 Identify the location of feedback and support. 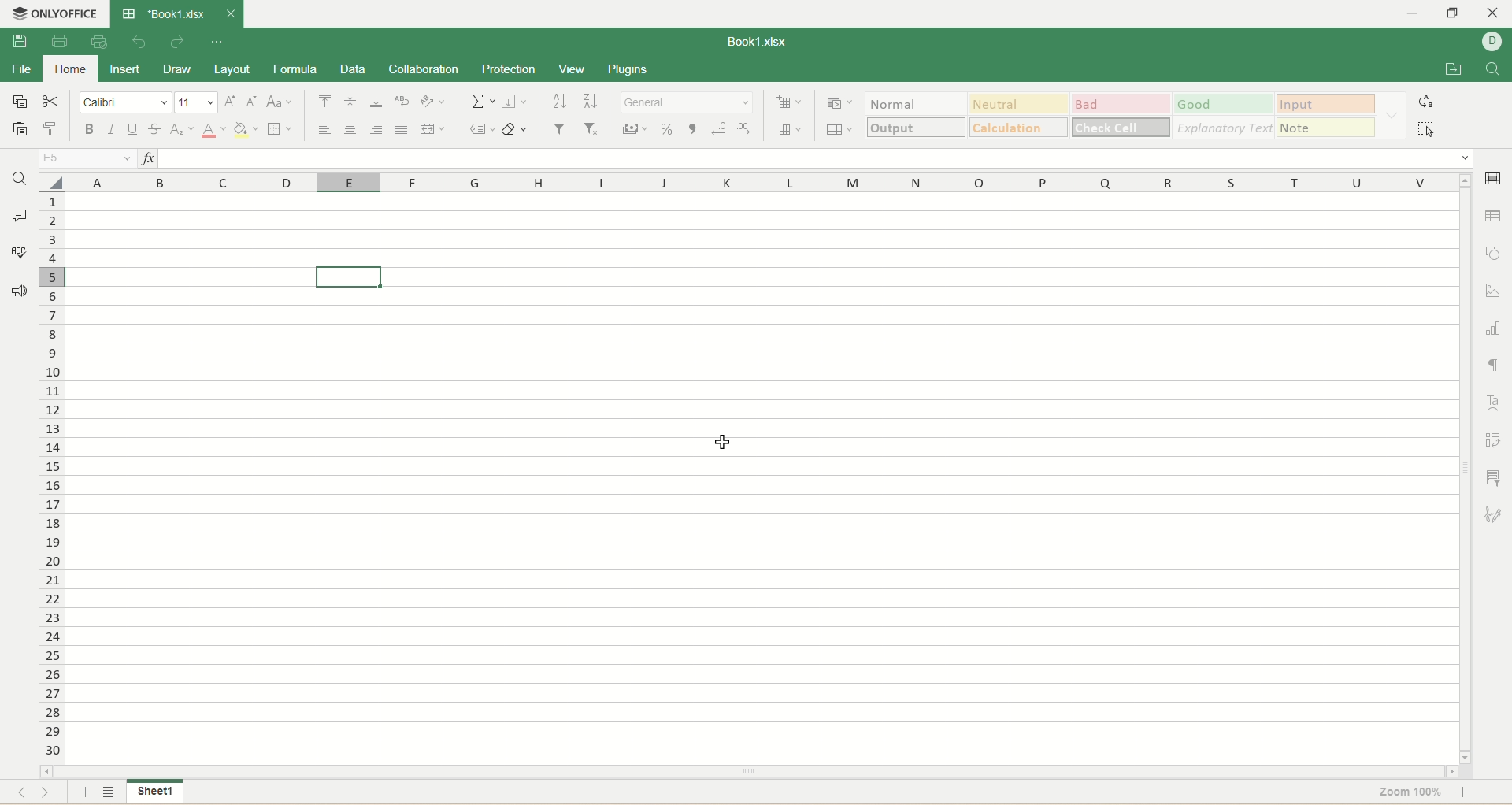
(19, 291).